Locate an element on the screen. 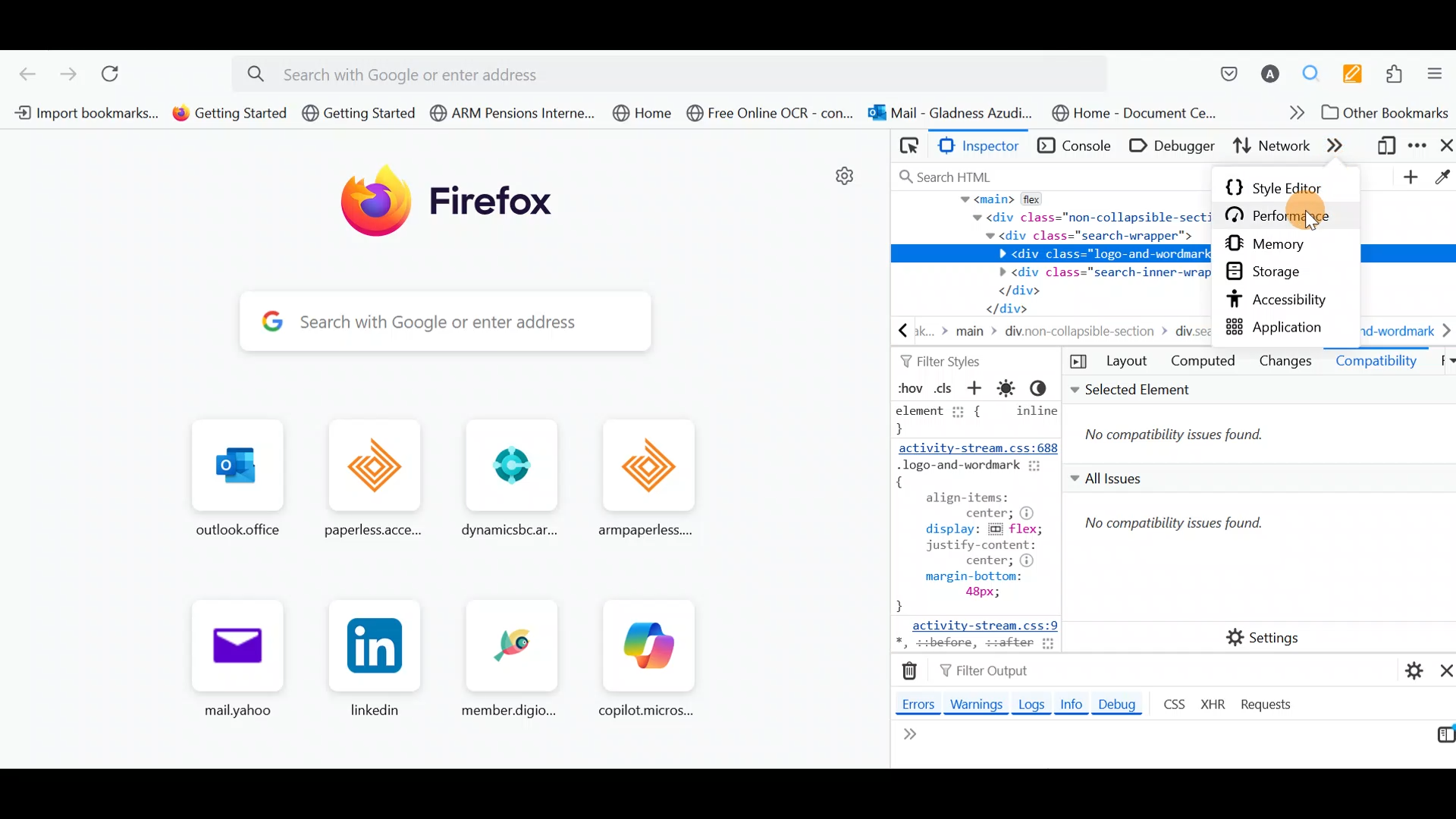 The height and width of the screenshot is (819, 1456). HTML code is located at coordinates (1047, 268).